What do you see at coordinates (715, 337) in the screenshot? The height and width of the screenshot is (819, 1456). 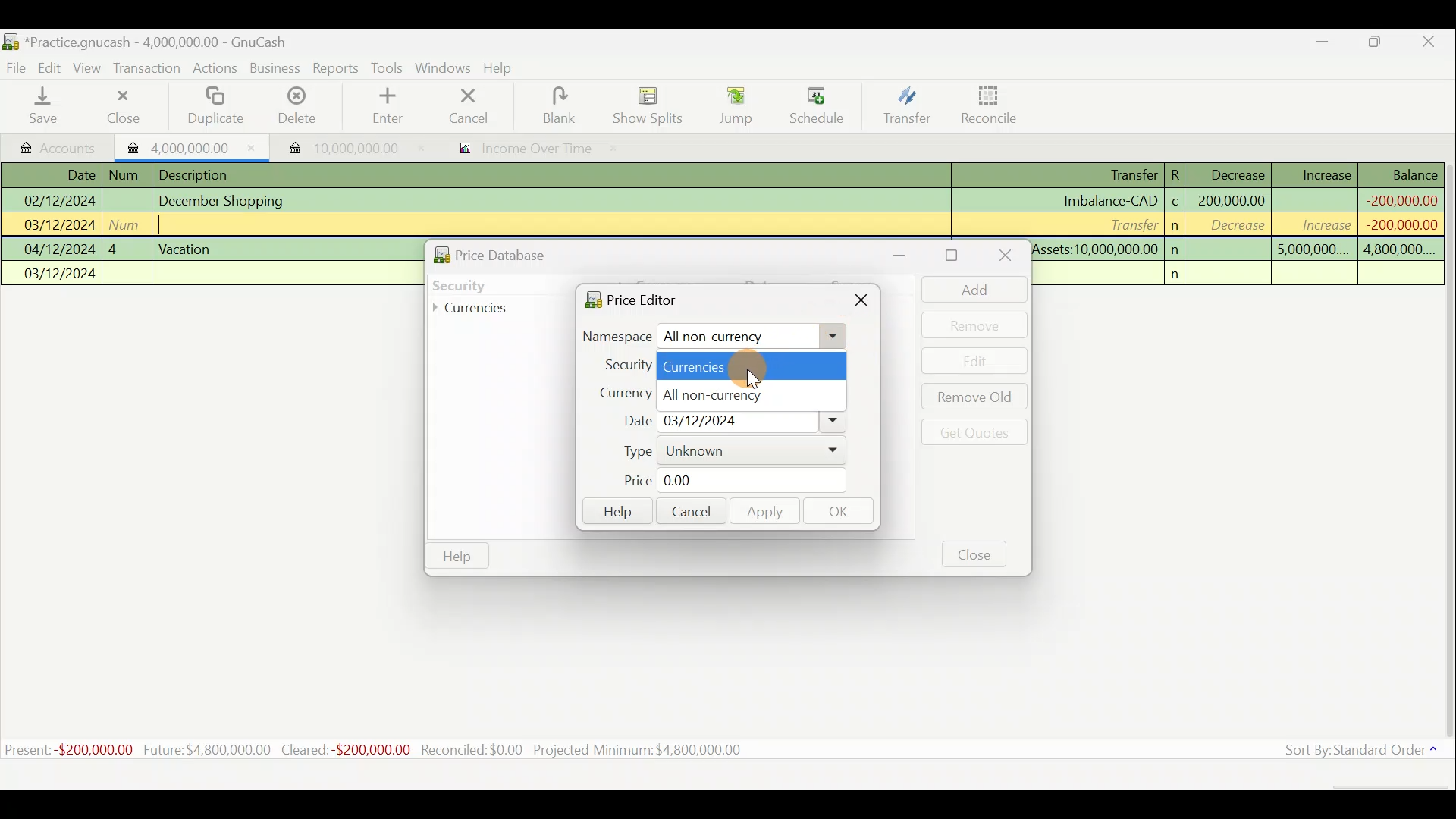 I see `Namespace` at bounding box center [715, 337].